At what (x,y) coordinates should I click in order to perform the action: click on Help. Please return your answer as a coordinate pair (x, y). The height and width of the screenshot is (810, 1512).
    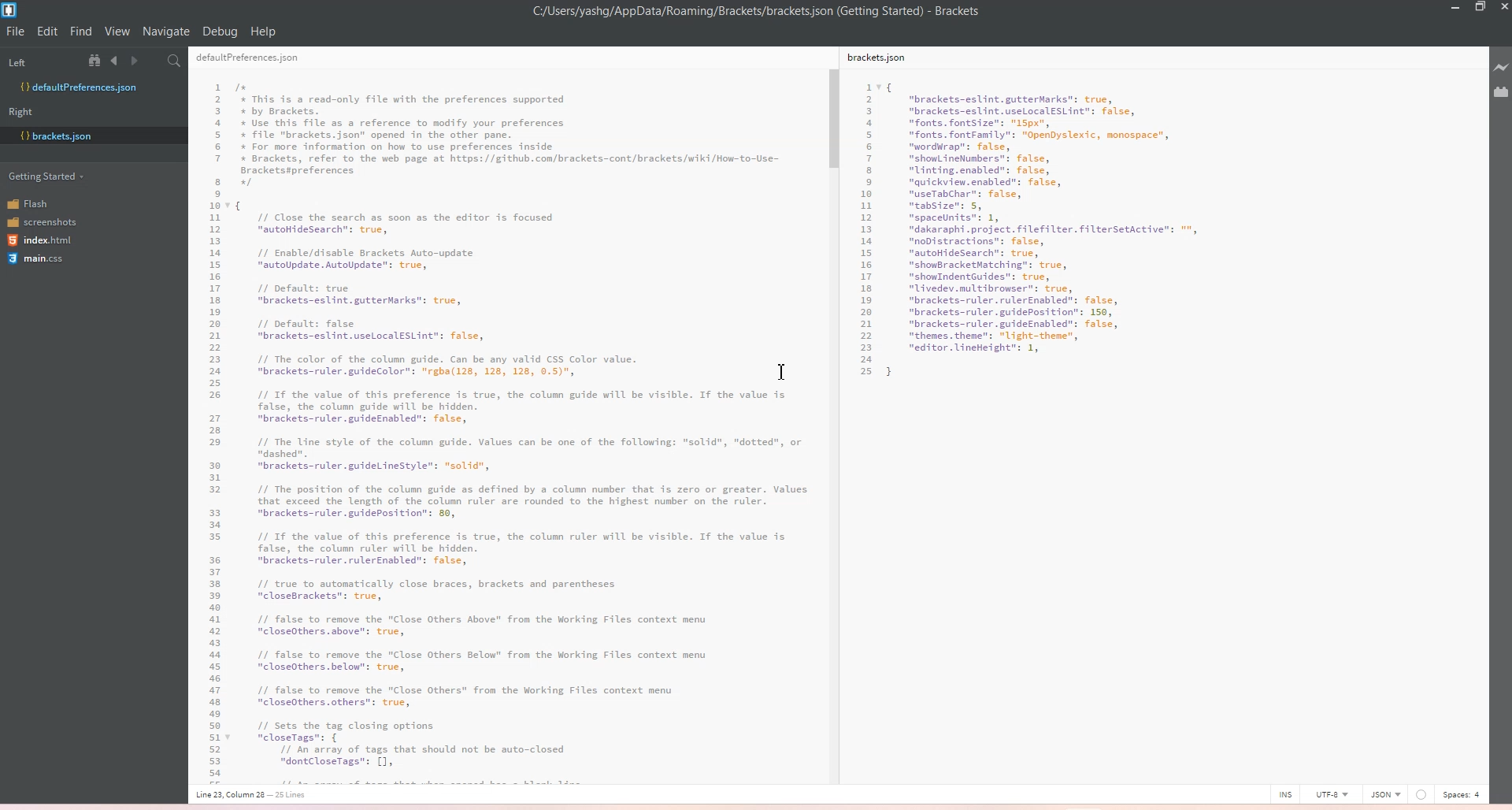
    Looking at the image, I should click on (263, 32).